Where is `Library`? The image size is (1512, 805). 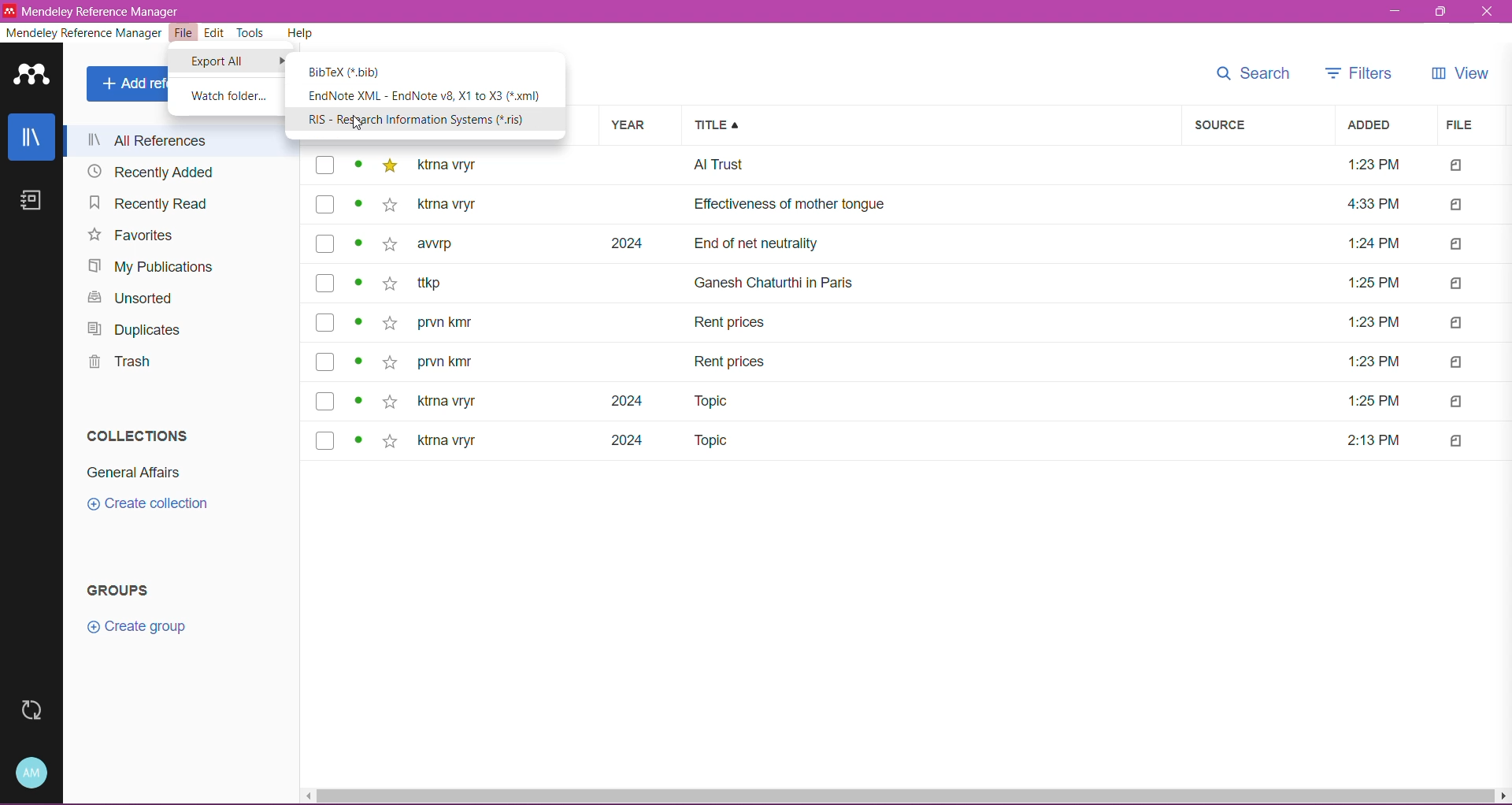
Library is located at coordinates (35, 139).